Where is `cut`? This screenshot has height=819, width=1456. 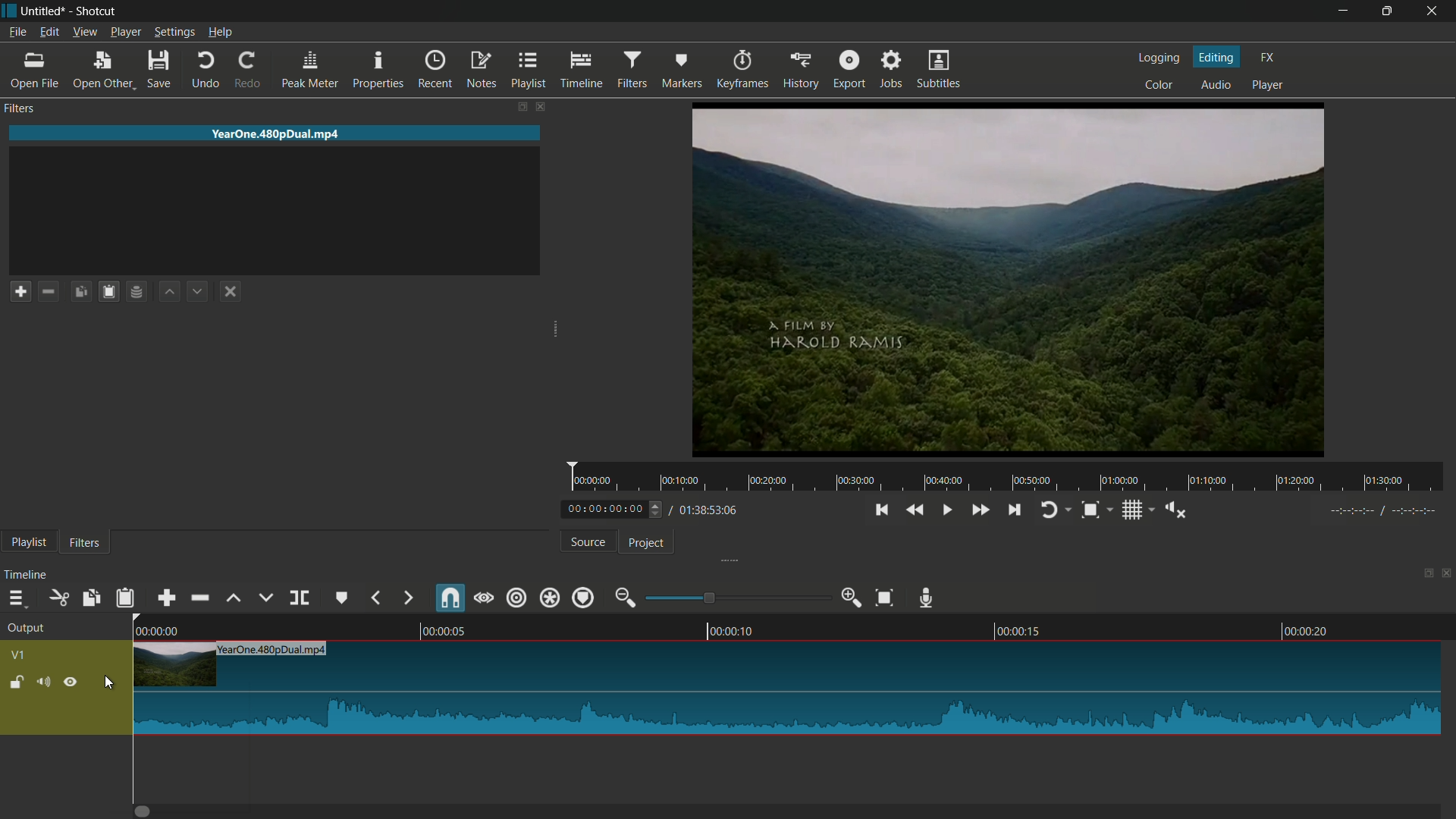 cut is located at coordinates (60, 598).